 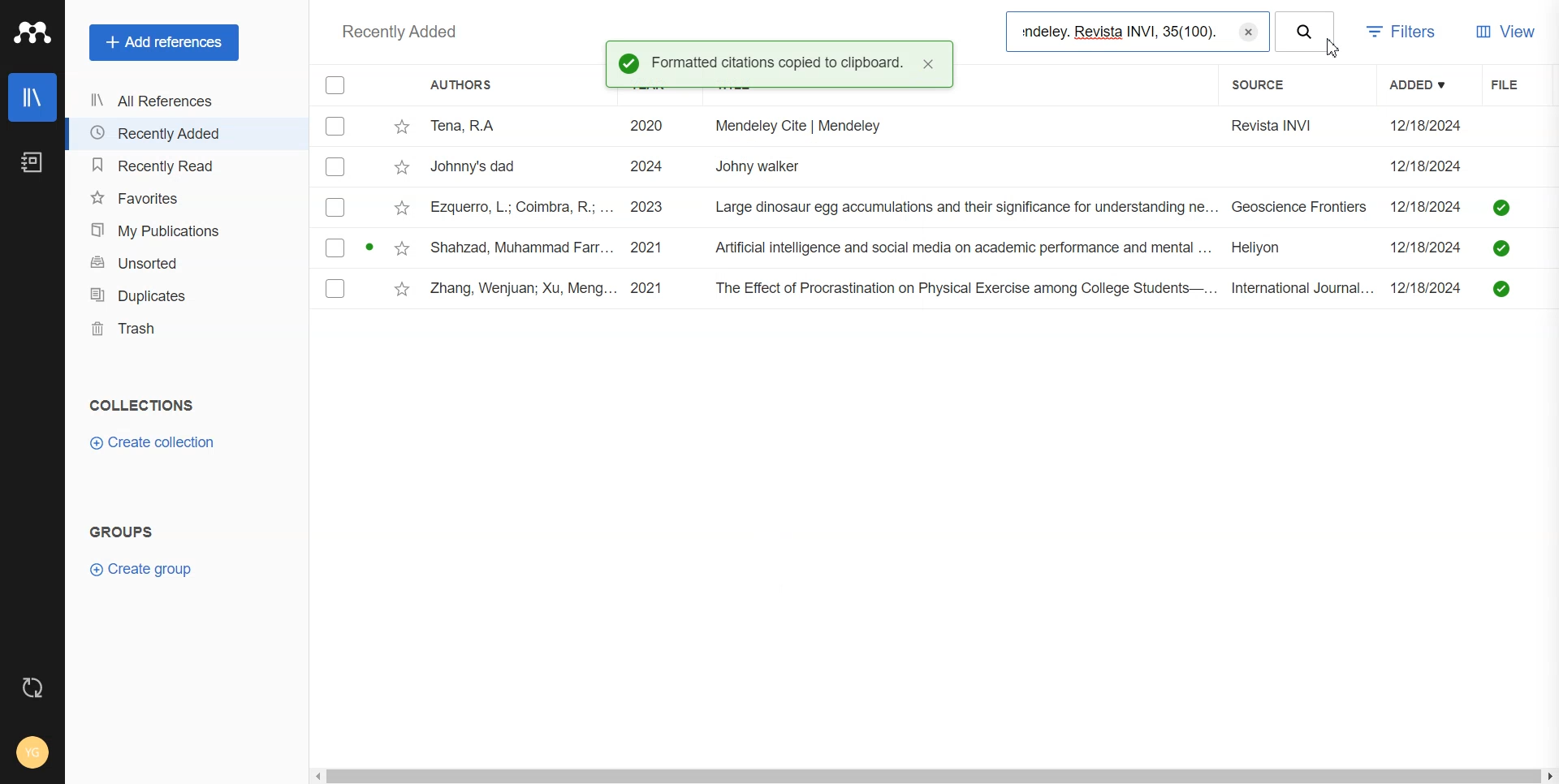 I want to click on Create group, so click(x=140, y=569).